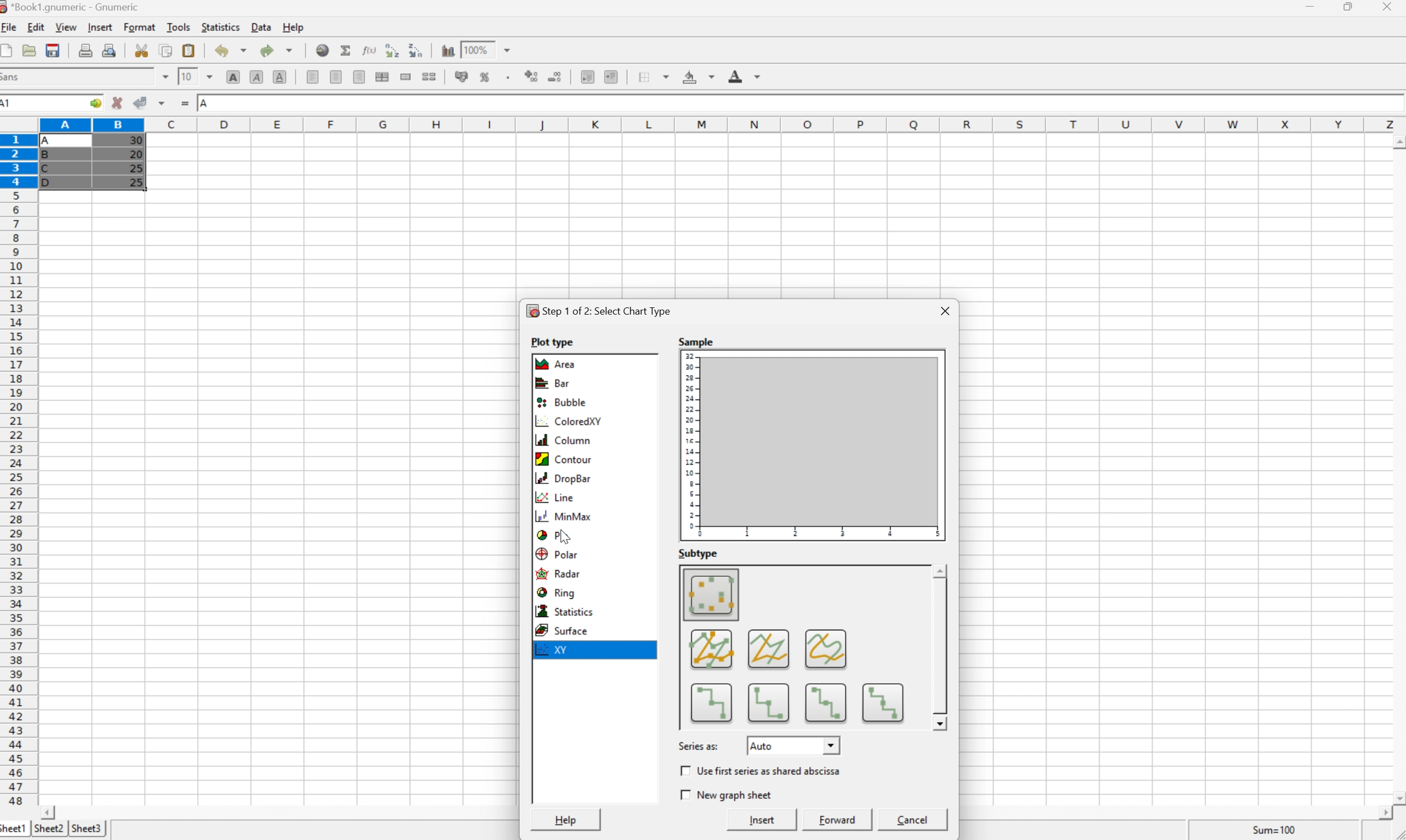  I want to click on Borders, so click(649, 76).